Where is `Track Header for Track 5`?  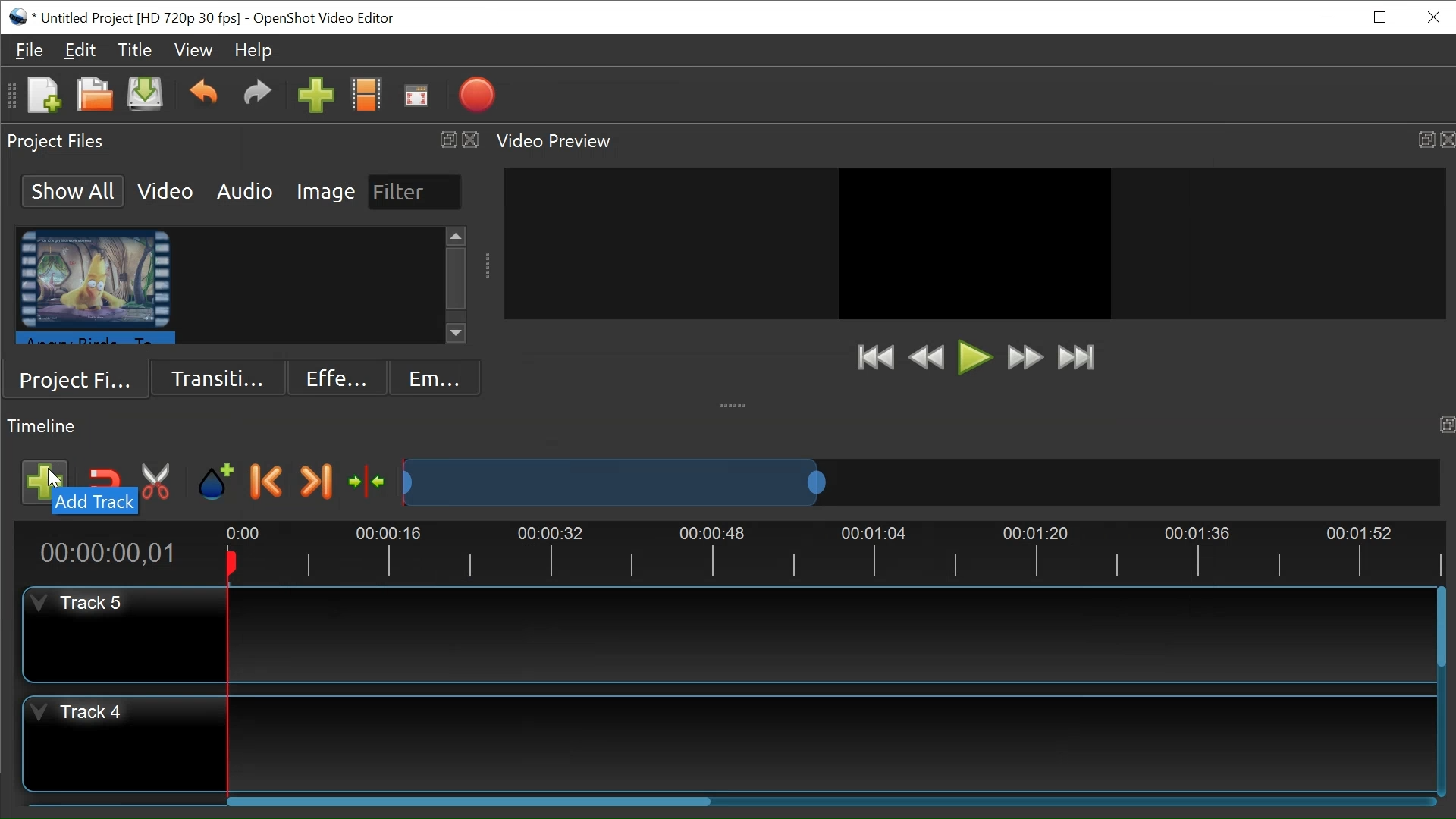
Track Header for Track 5 is located at coordinates (124, 632).